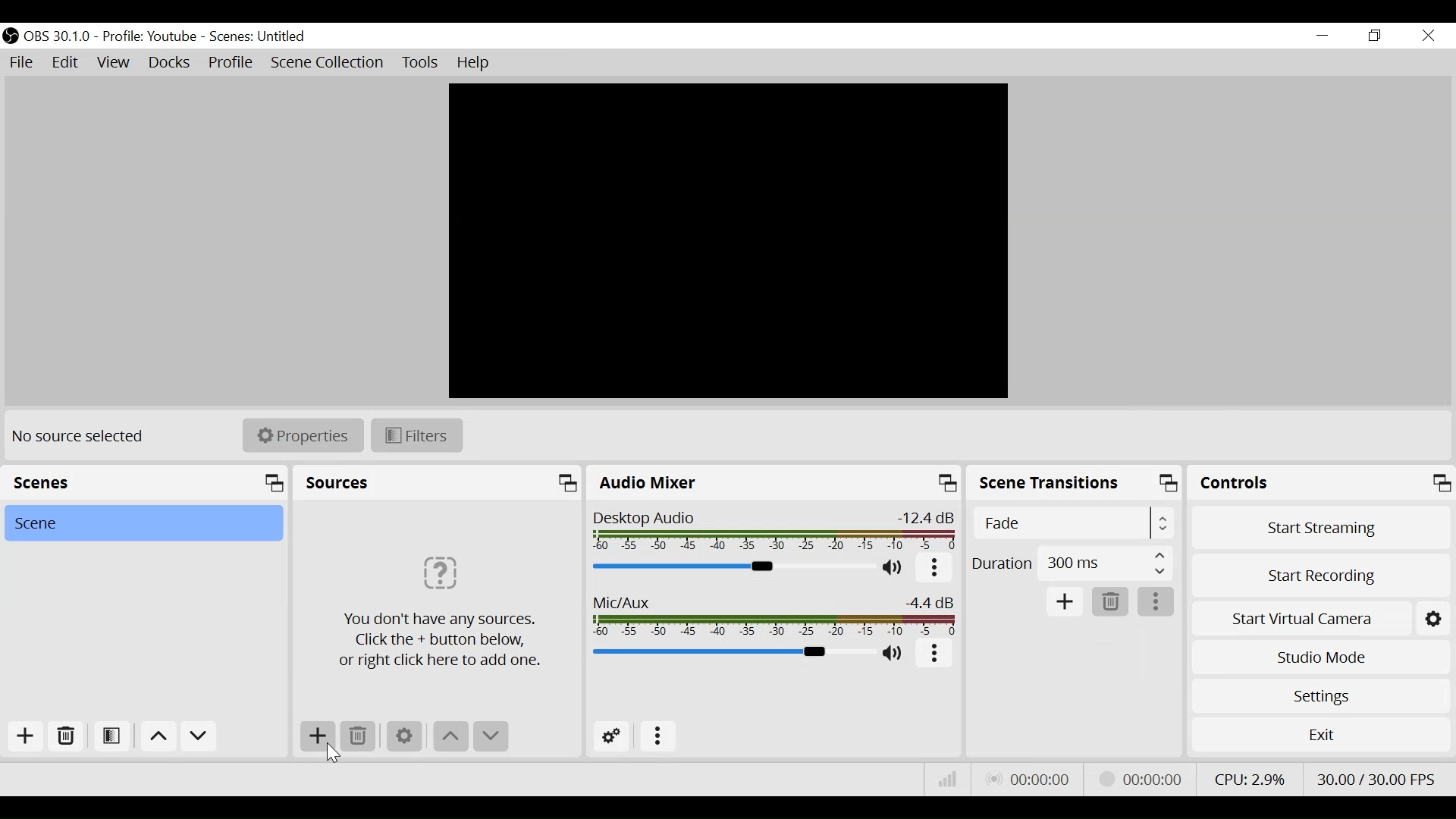  I want to click on Audio Mixer, so click(776, 485).